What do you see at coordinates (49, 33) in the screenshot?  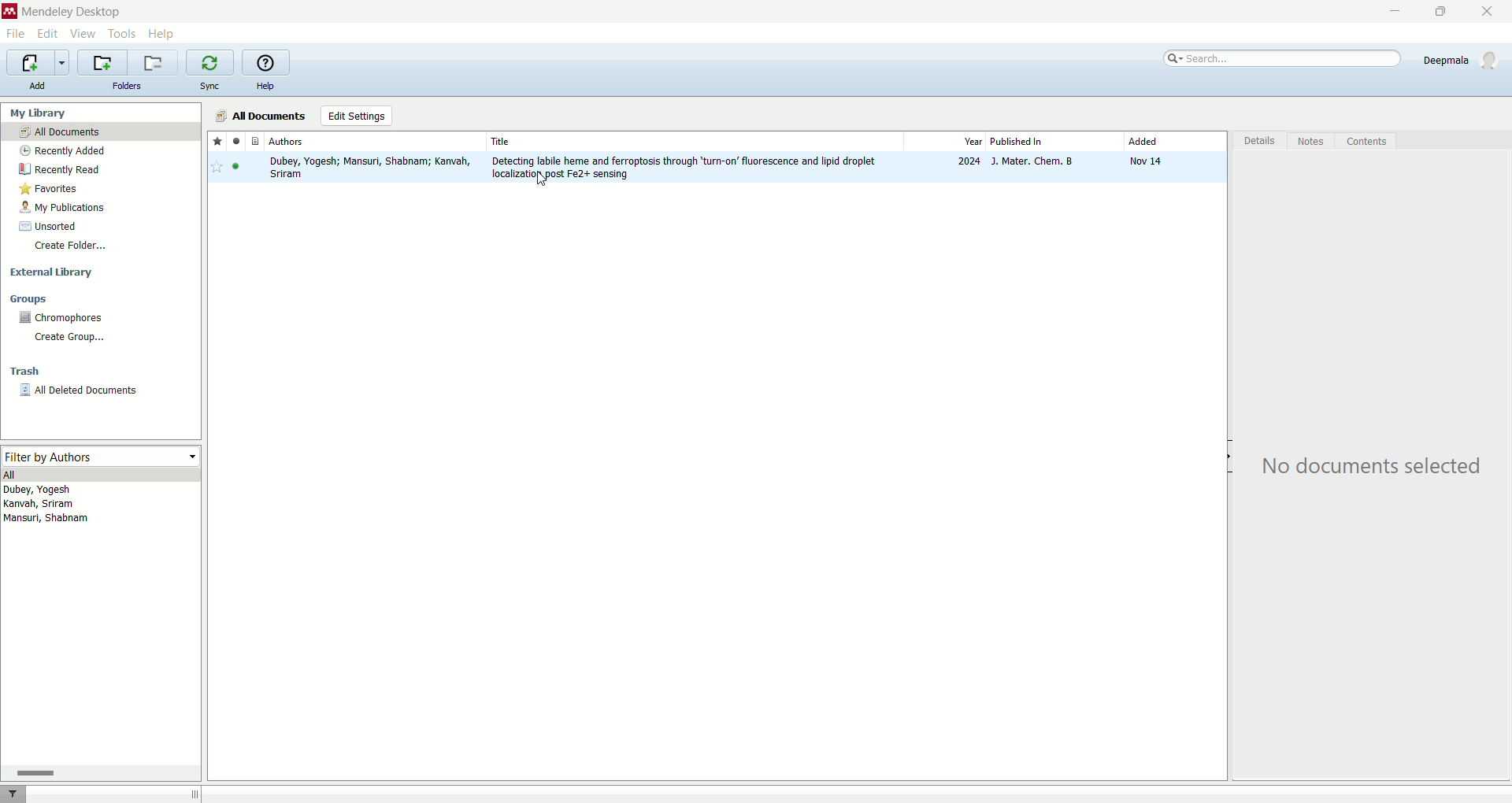 I see `edit` at bounding box center [49, 33].